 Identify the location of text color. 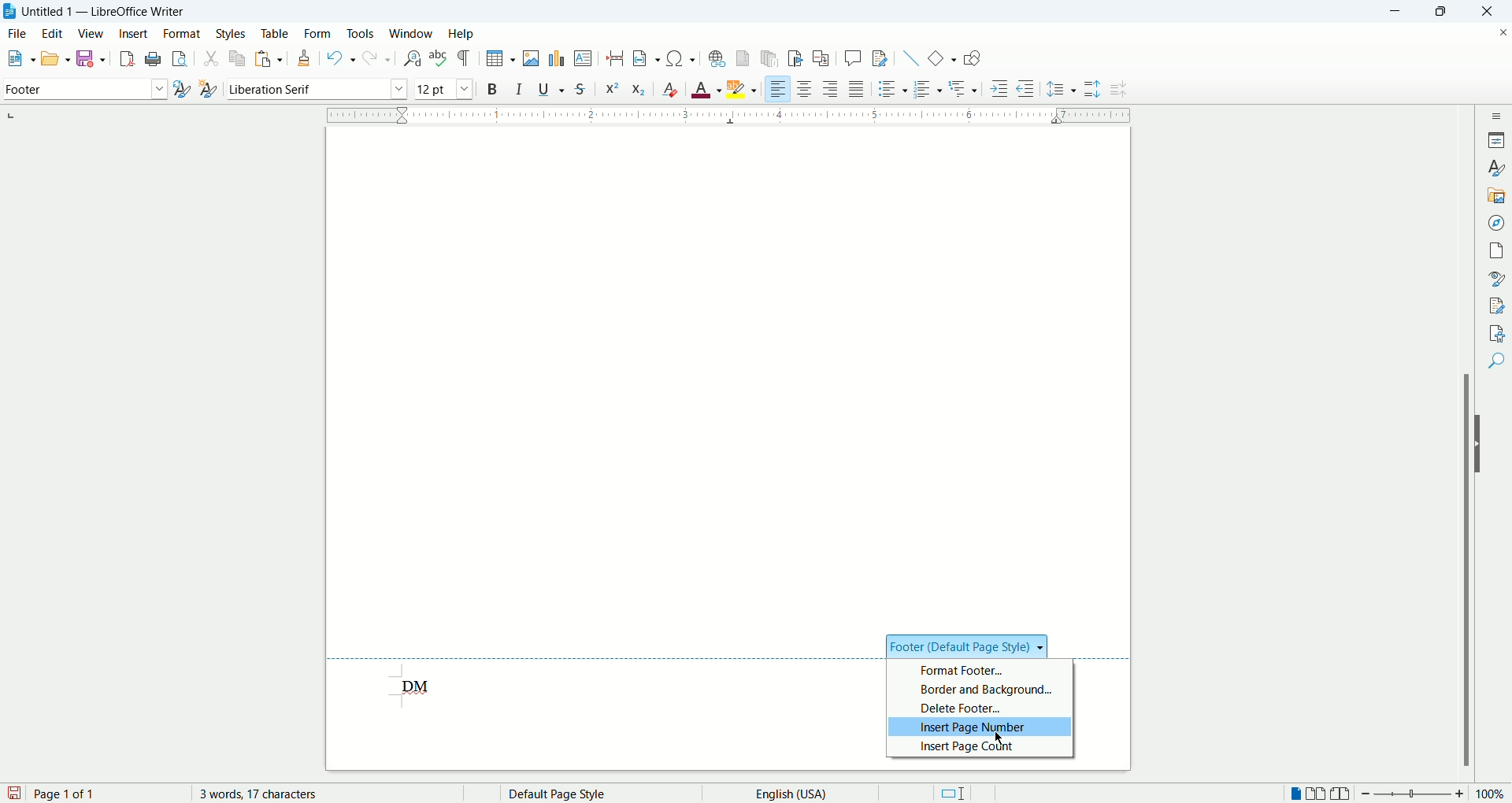
(708, 89).